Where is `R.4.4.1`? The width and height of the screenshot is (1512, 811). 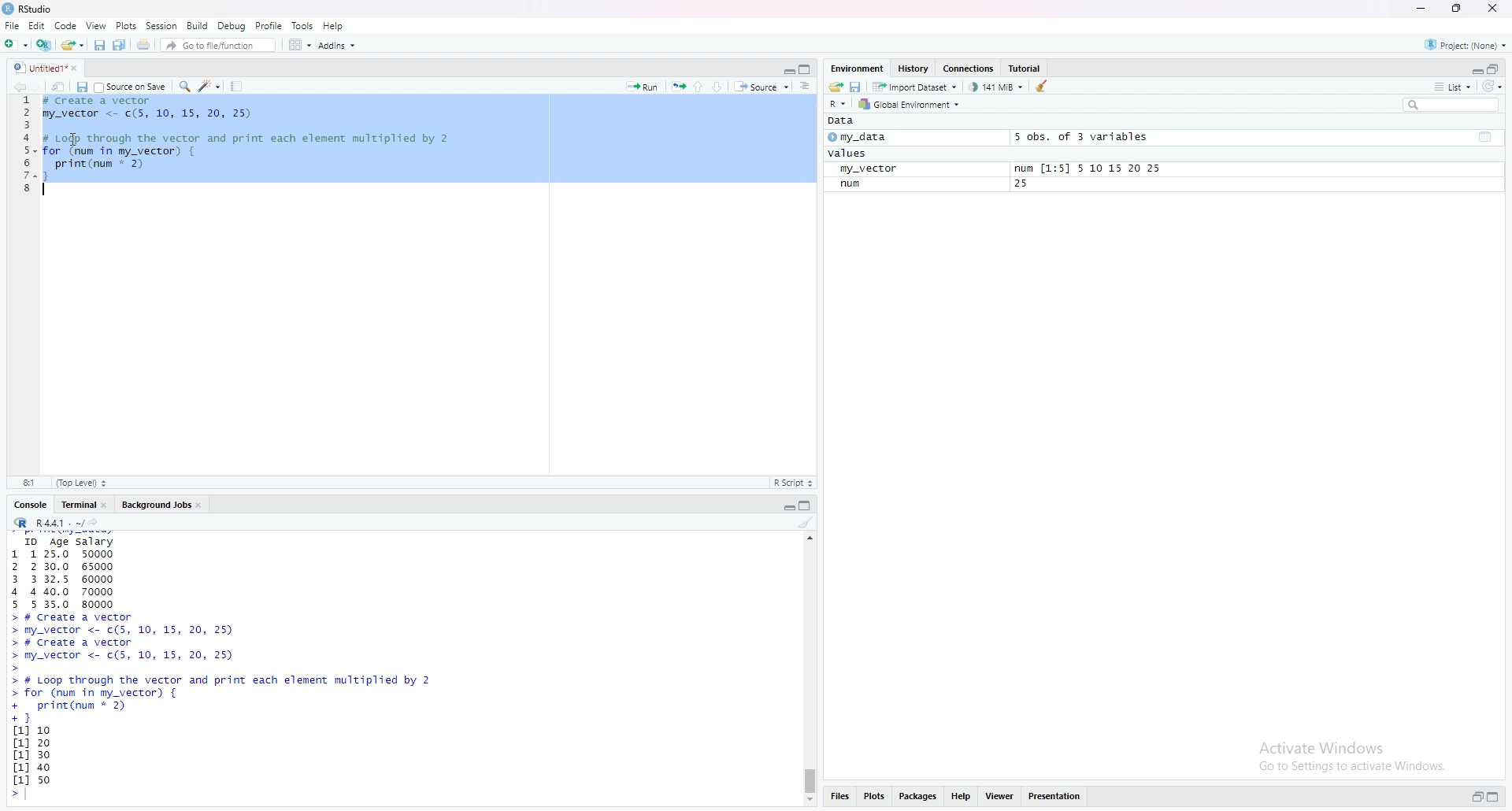 R.4.4.1 is located at coordinates (45, 522).